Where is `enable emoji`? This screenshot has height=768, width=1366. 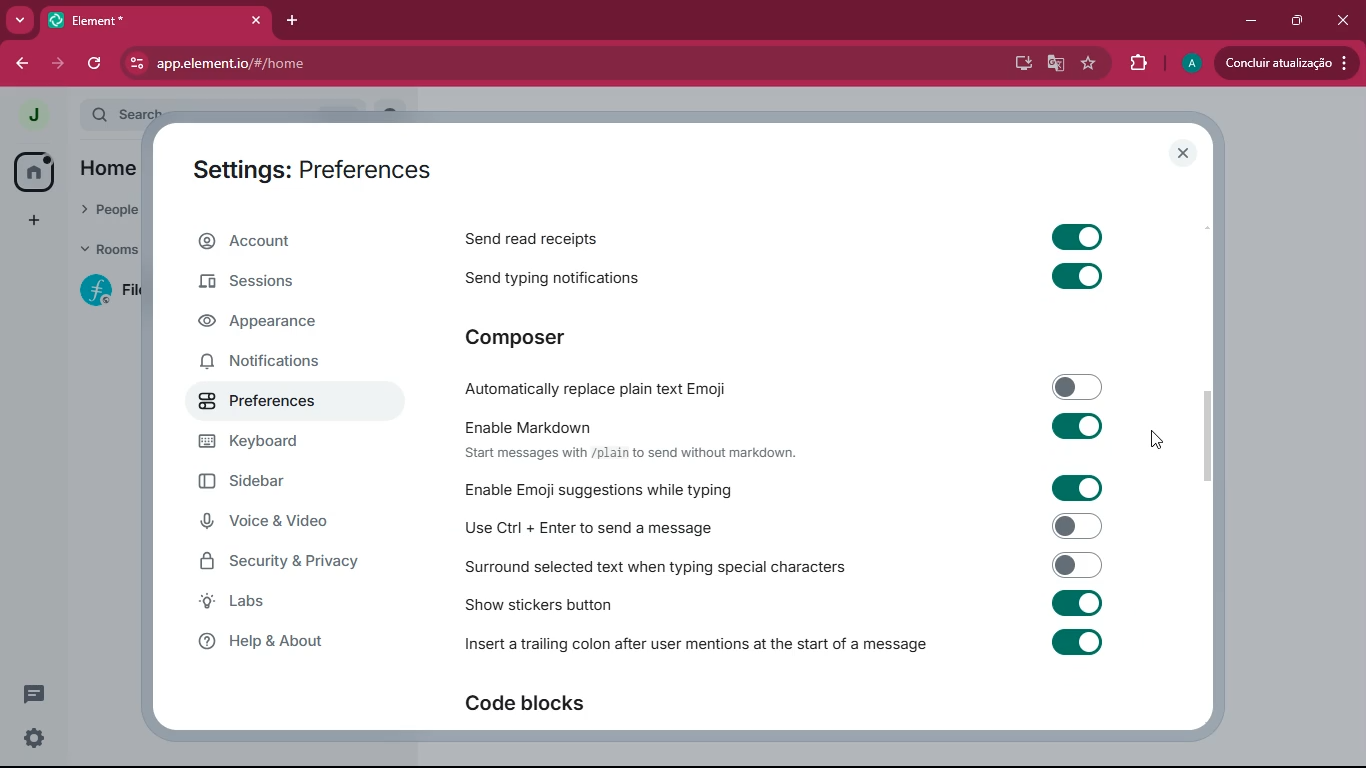
enable emoji is located at coordinates (597, 490).